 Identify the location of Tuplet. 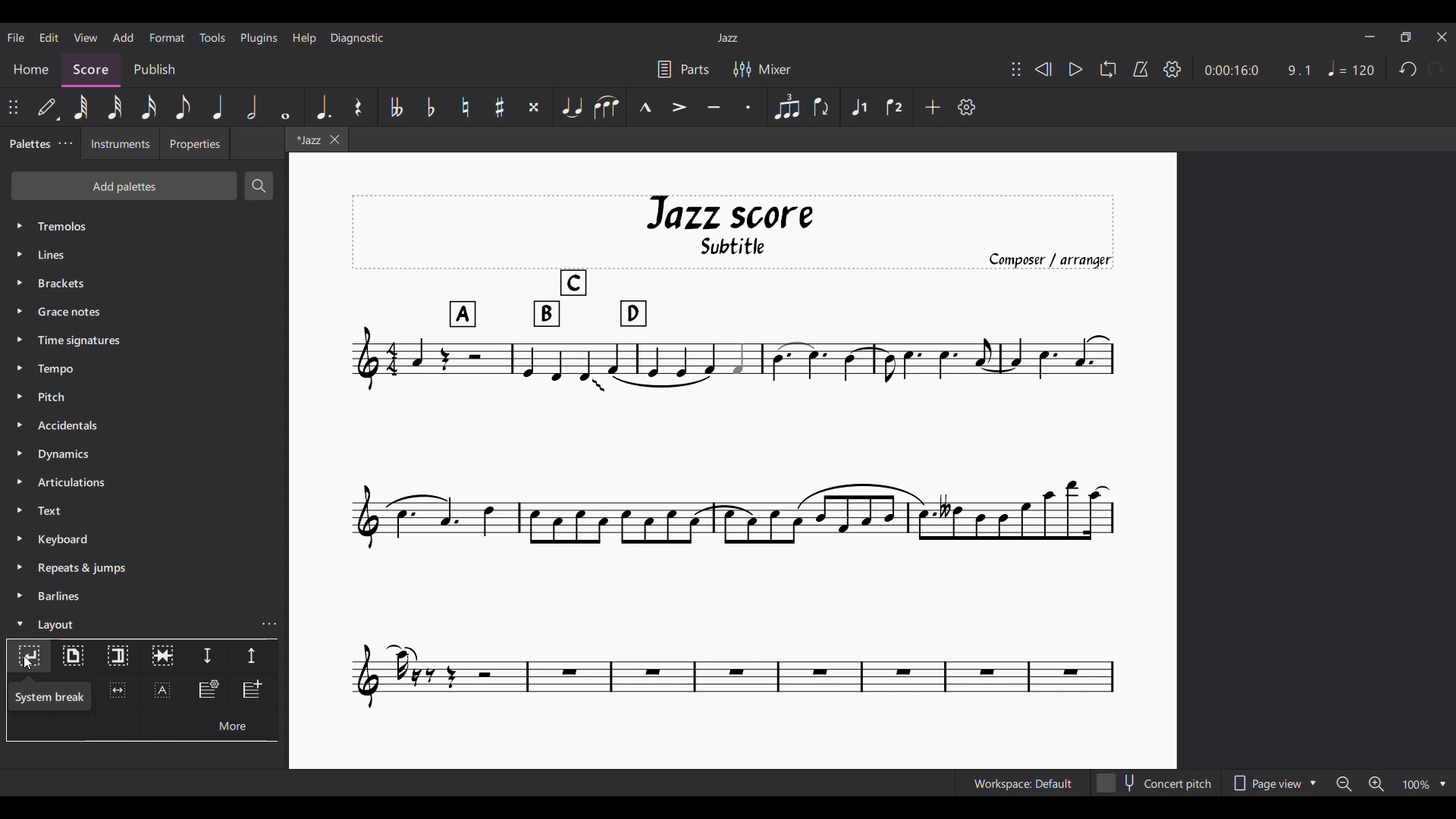
(786, 107).